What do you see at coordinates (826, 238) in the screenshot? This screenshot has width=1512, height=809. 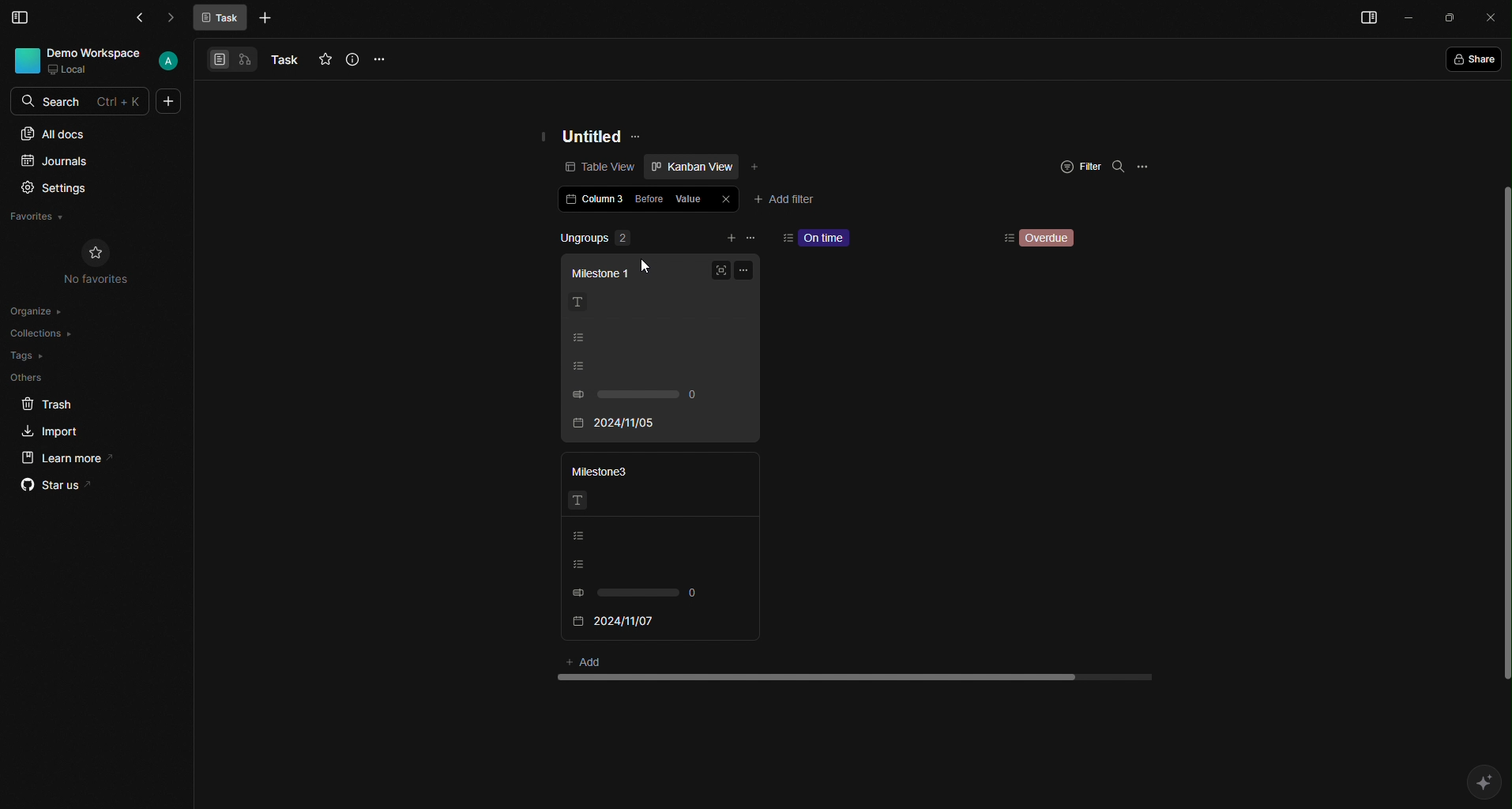 I see `On time` at bounding box center [826, 238].